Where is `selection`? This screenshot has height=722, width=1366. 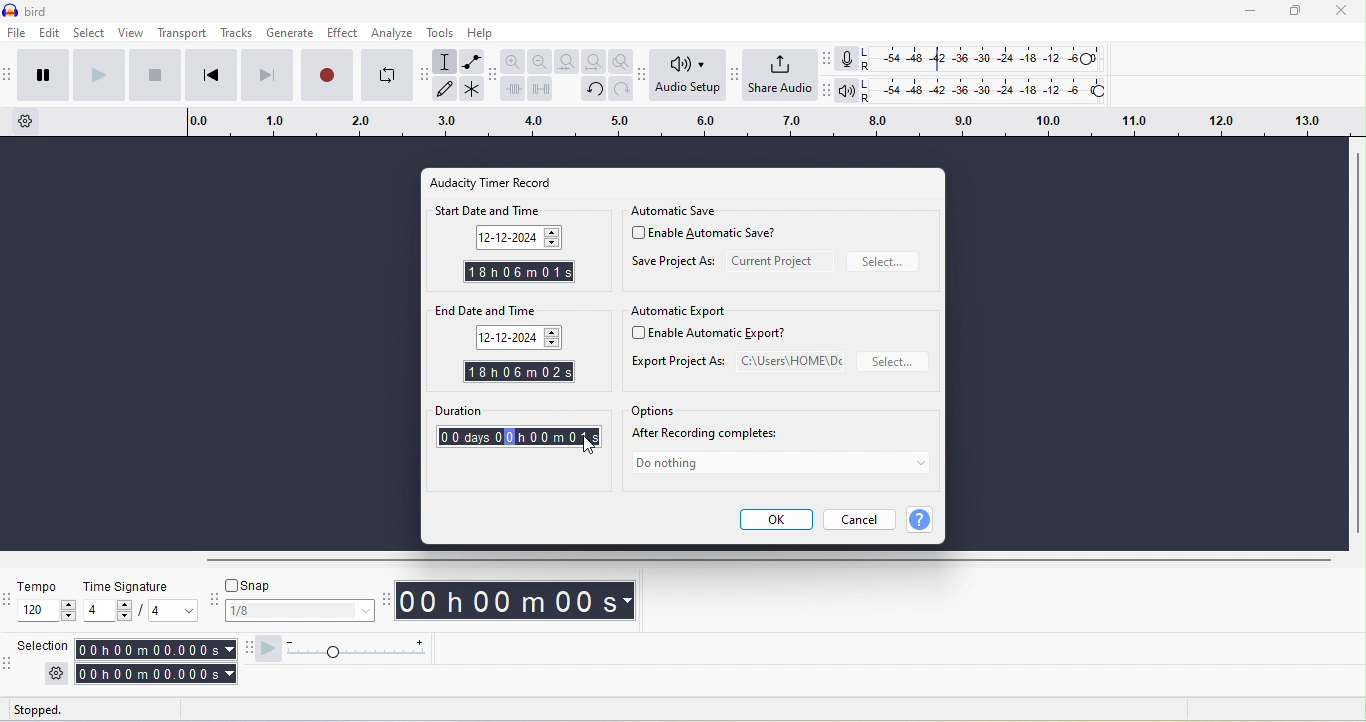 selection is located at coordinates (153, 661).